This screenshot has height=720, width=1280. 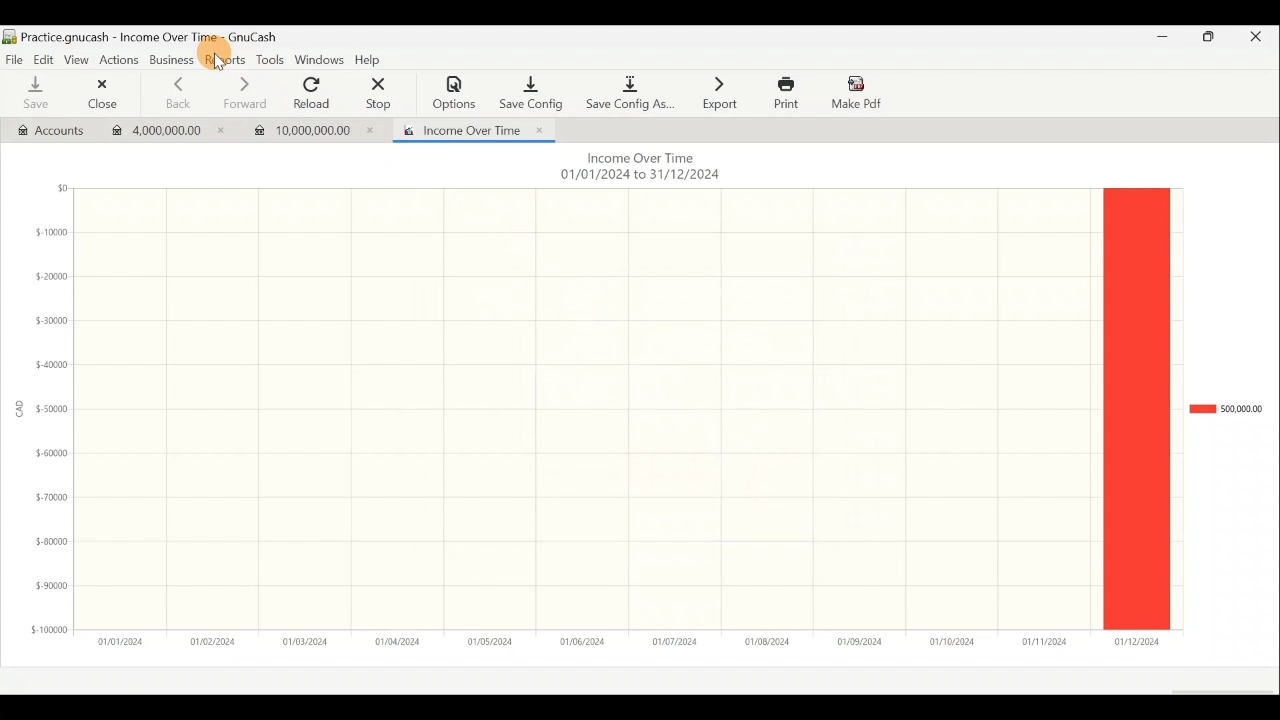 What do you see at coordinates (46, 417) in the screenshot?
I see `y-axis (amount in CAD)` at bounding box center [46, 417].